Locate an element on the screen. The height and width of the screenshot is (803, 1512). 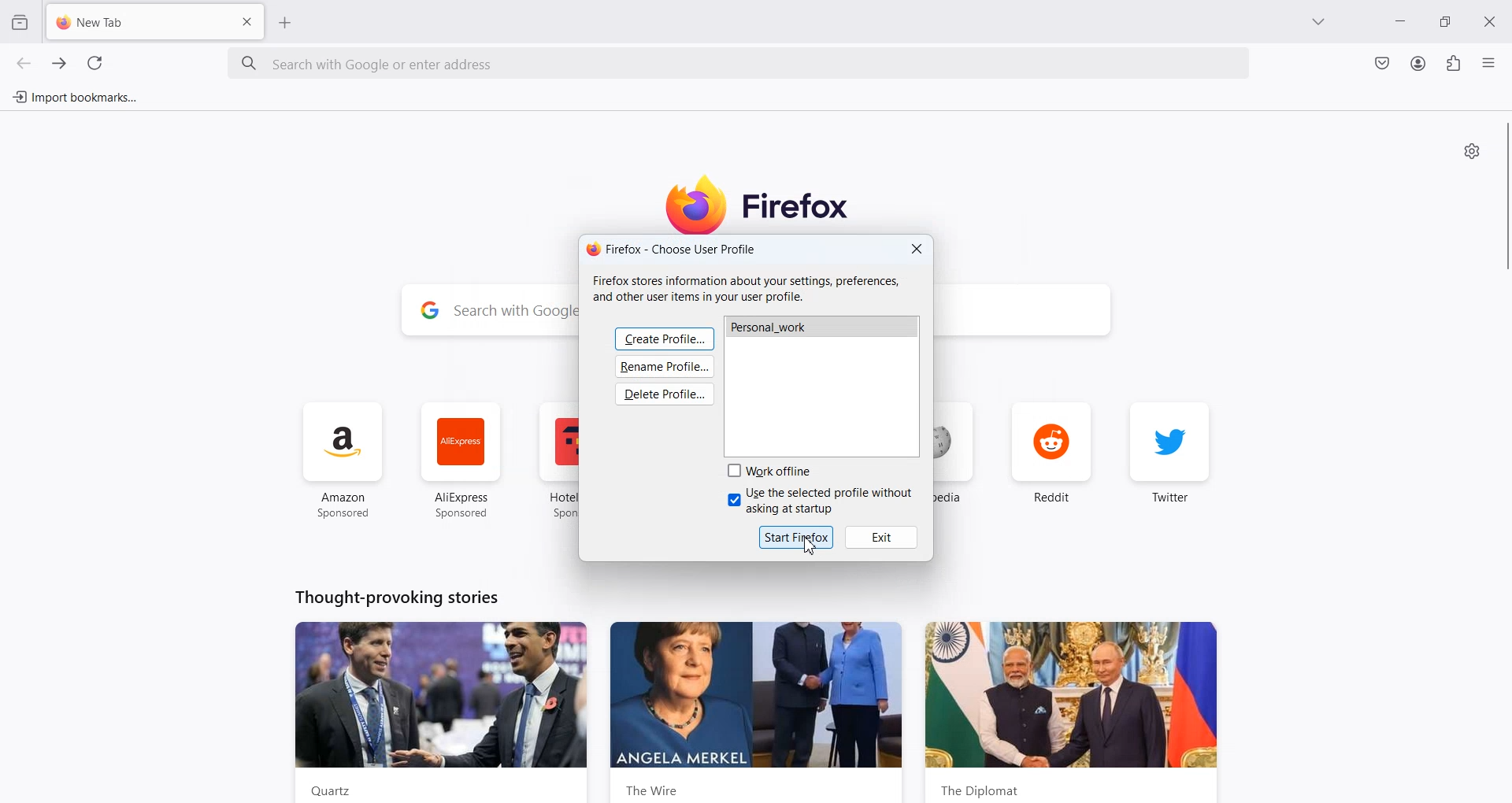
Firefox stores information about your settings, preferences,
and other user items in your user profile. is located at coordinates (752, 289).